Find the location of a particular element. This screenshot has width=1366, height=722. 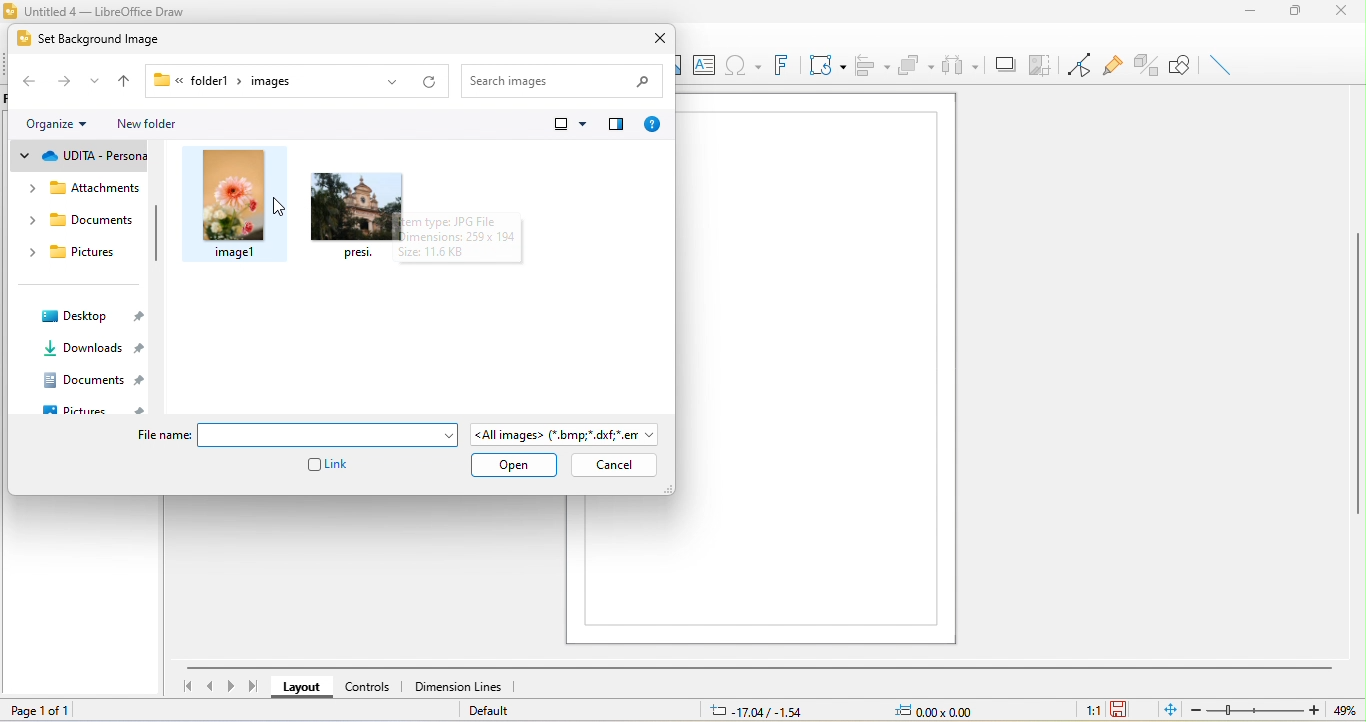

0.00x0.00 is located at coordinates (947, 709).